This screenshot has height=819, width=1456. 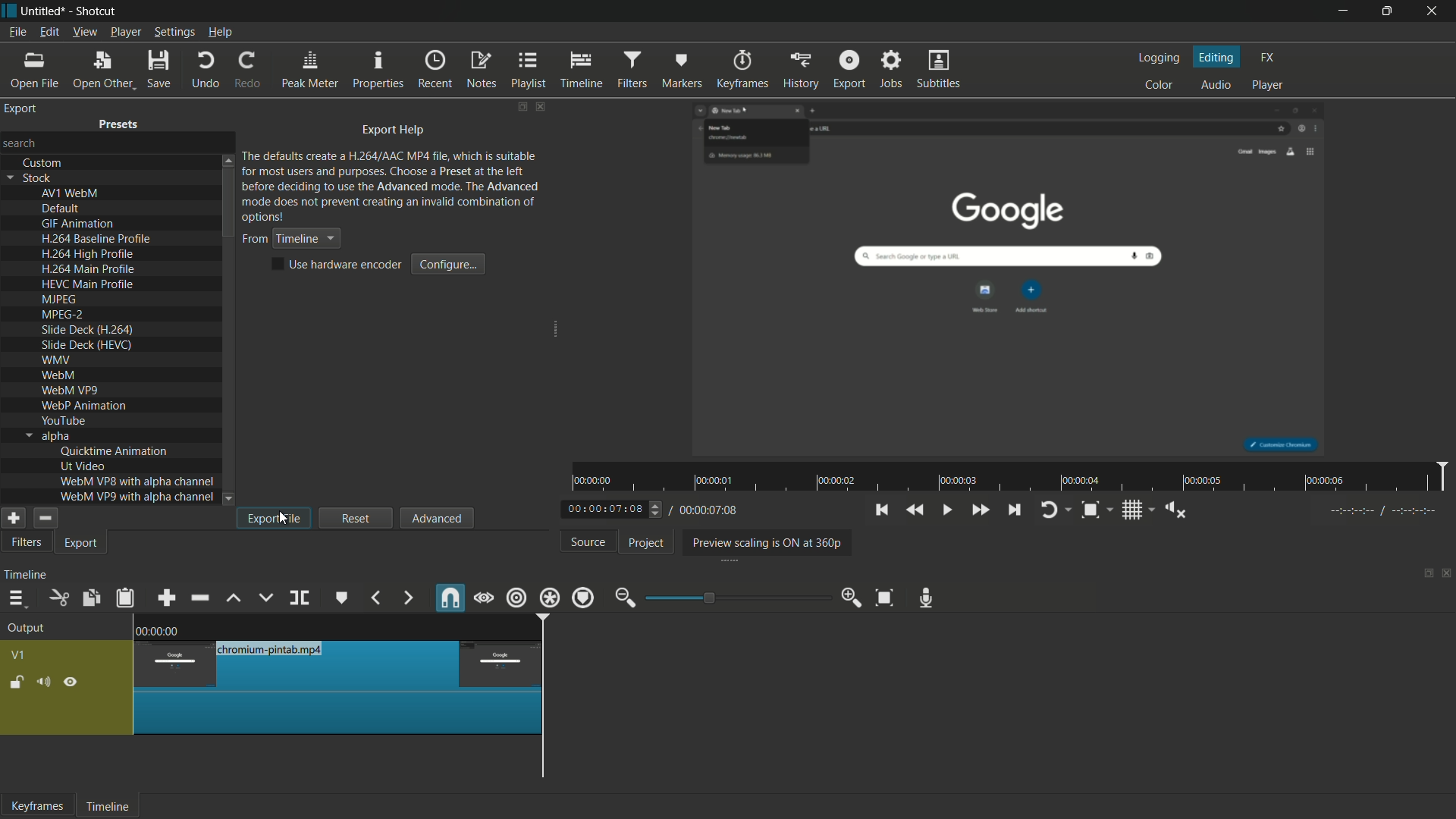 I want to click on mjpeg, so click(x=60, y=300).